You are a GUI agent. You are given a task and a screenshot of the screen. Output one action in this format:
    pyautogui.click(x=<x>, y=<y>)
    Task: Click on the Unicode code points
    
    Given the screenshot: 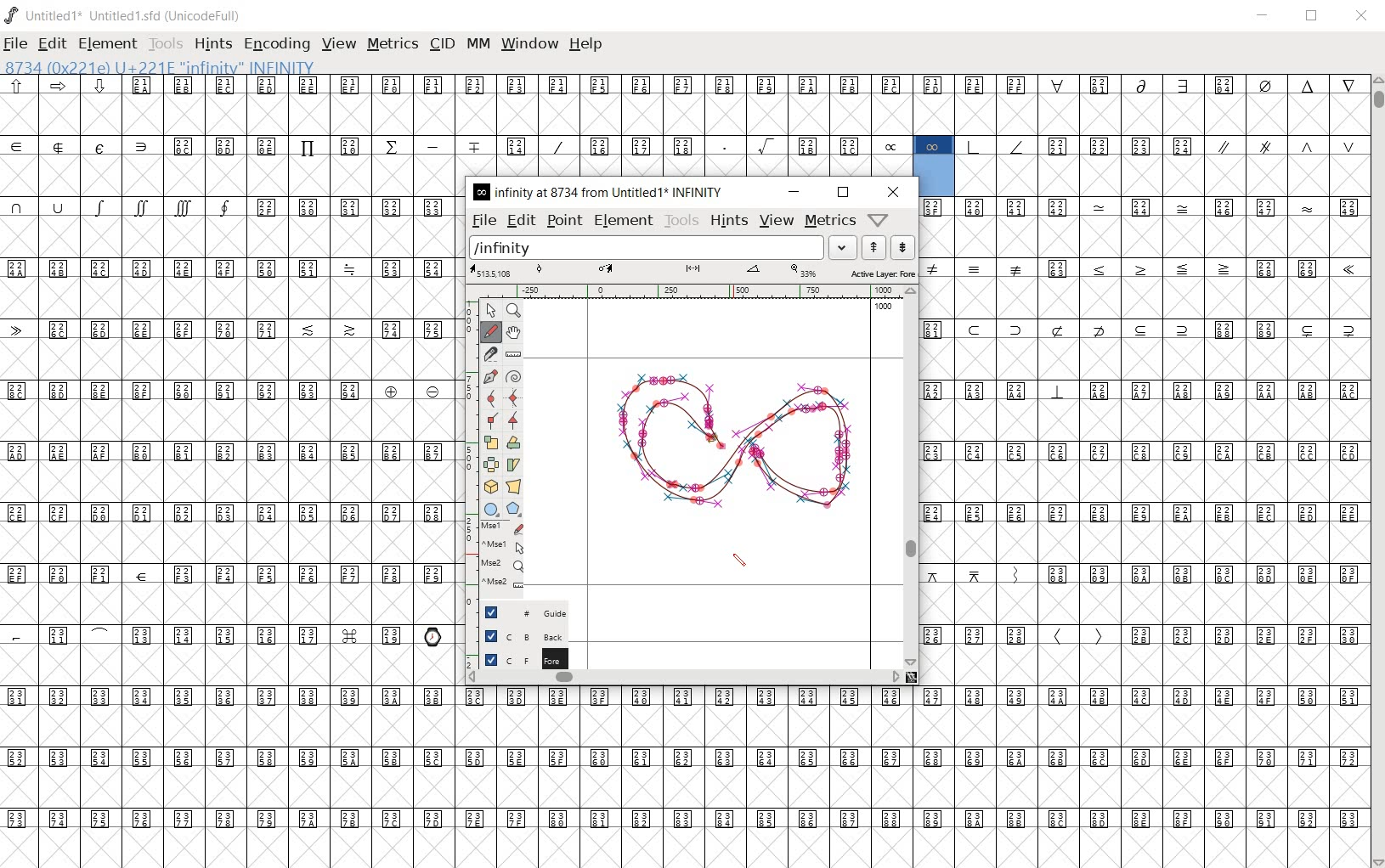 What is the action you would take?
    pyautogui.click(x=1162, y=328)
    